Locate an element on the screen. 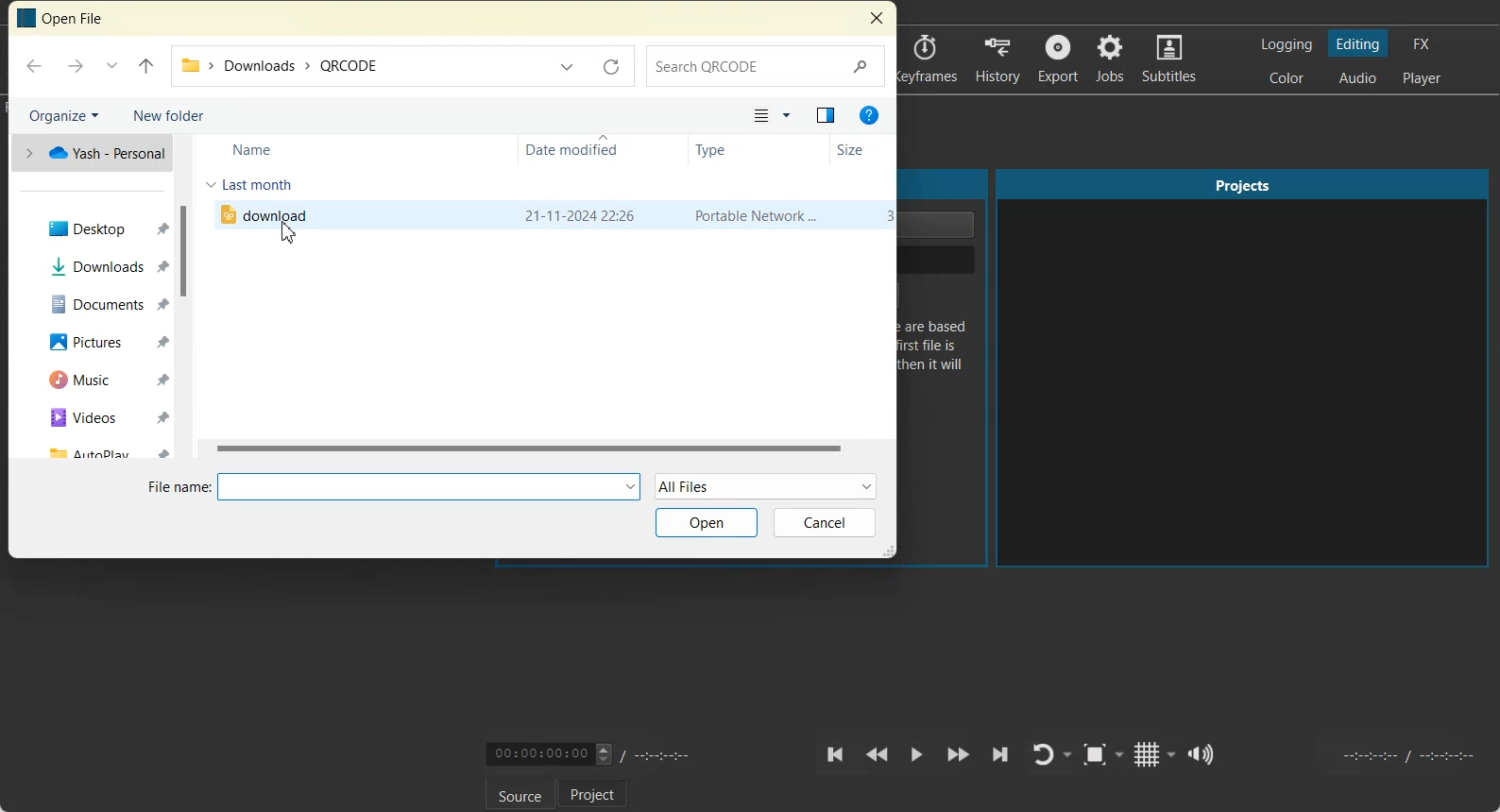 The height and width of the screenshot is (812, 1500). Previous location is located at coordinates (569, 64).